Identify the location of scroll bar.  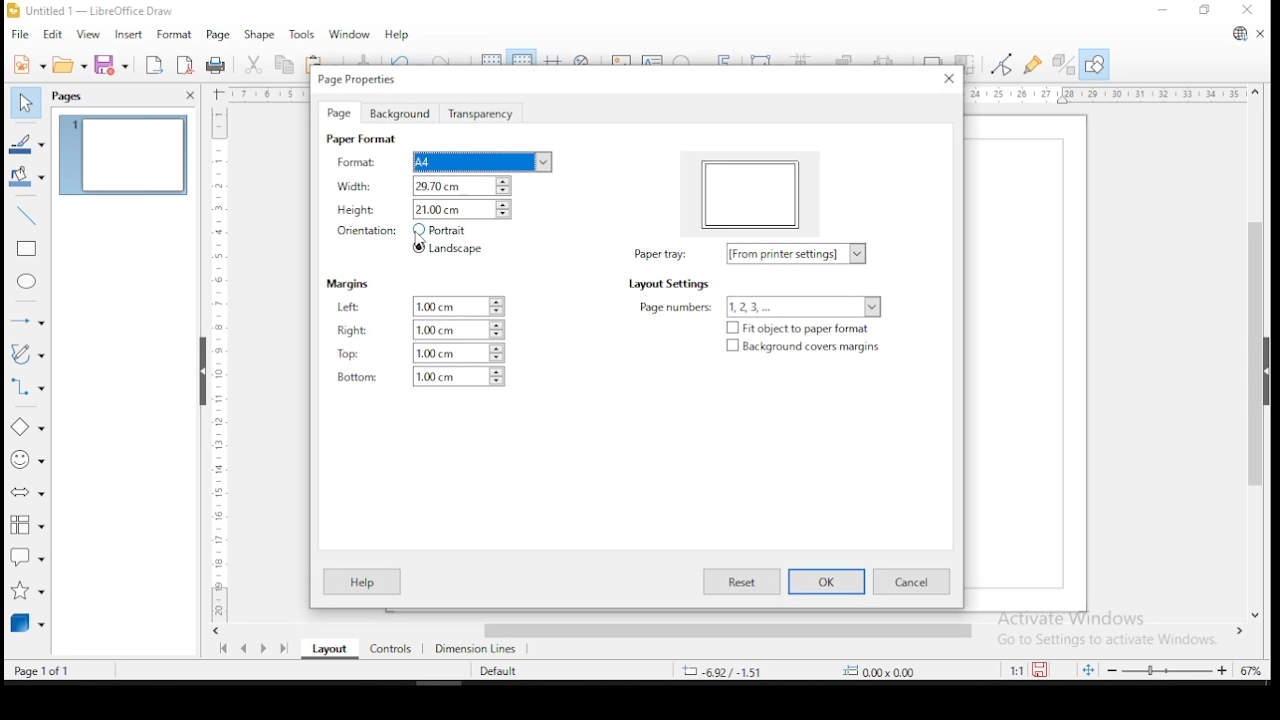
(735, 632).